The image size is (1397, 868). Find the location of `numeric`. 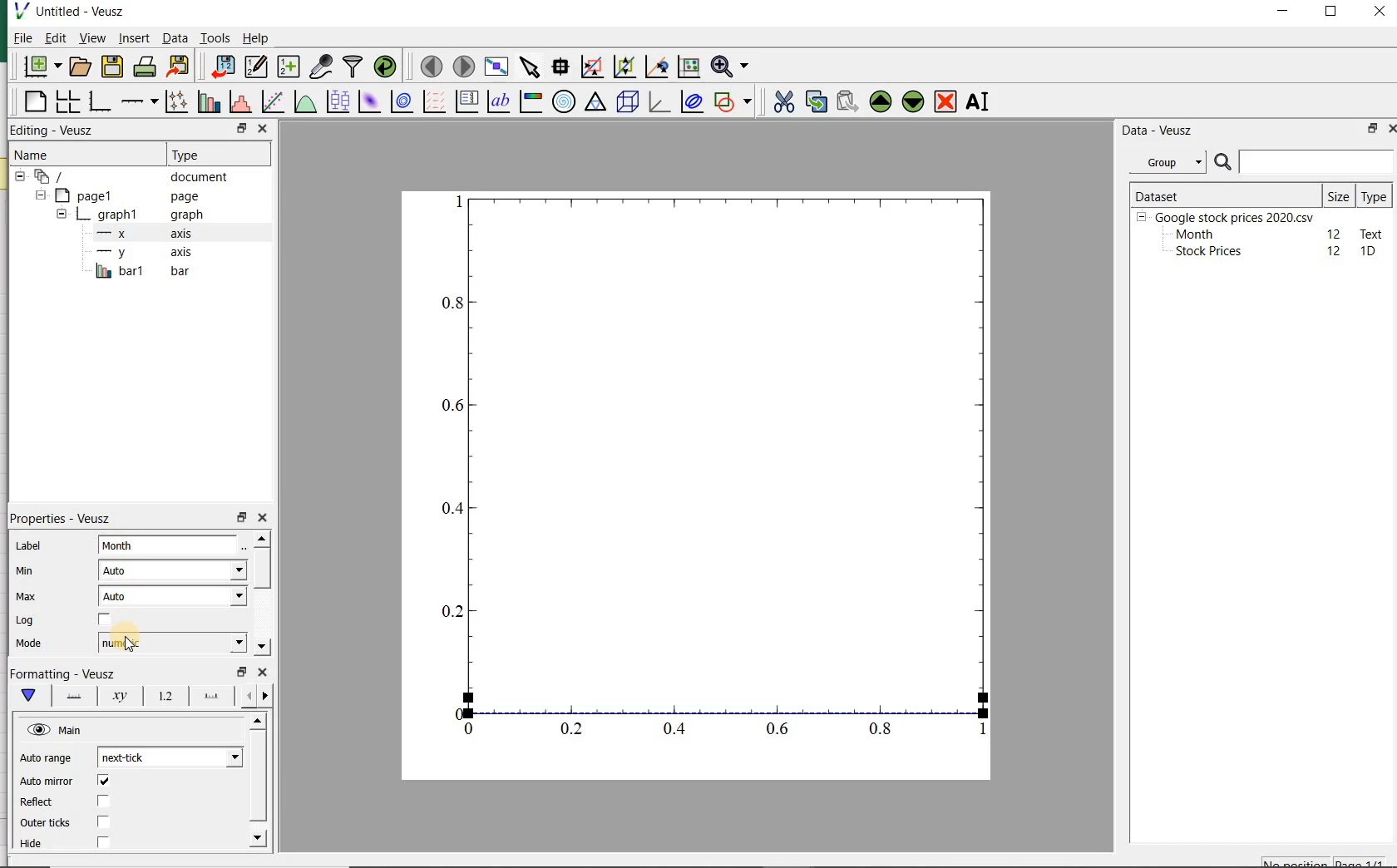

numeric is located at coordinates (170, 642).